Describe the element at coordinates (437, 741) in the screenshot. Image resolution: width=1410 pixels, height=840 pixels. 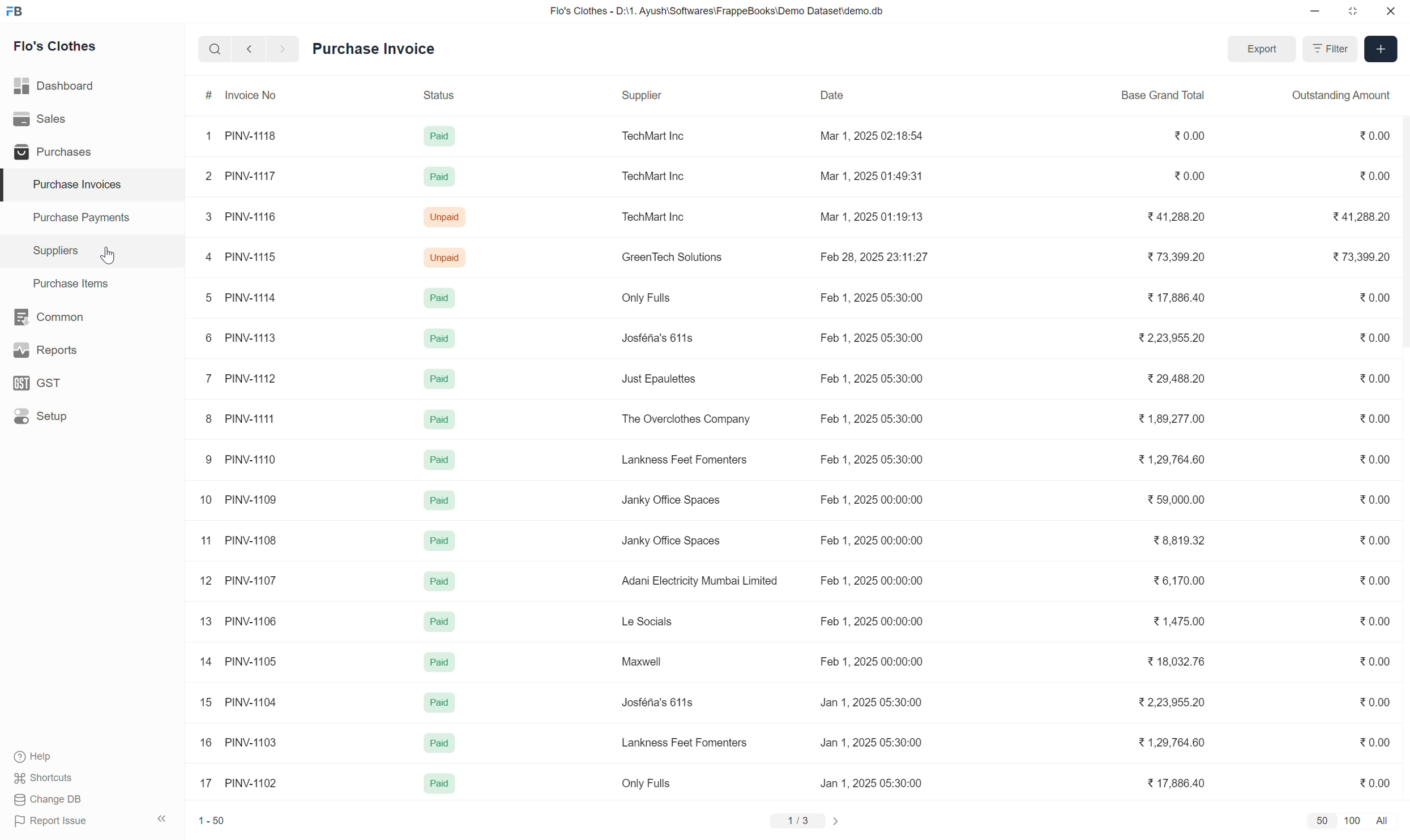
I see `paid` at that location.